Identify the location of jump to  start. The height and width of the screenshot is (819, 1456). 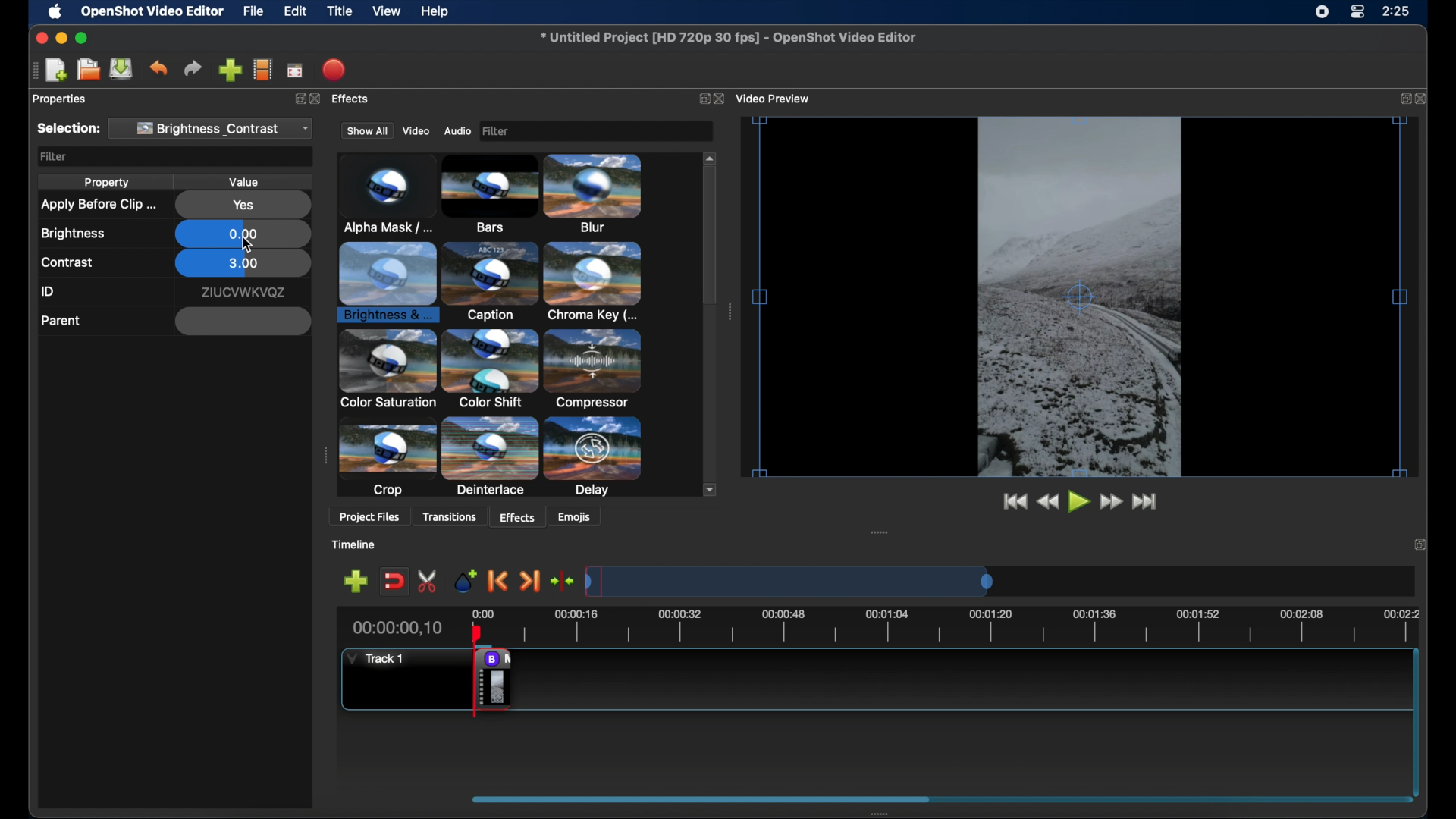
(1015, 503).